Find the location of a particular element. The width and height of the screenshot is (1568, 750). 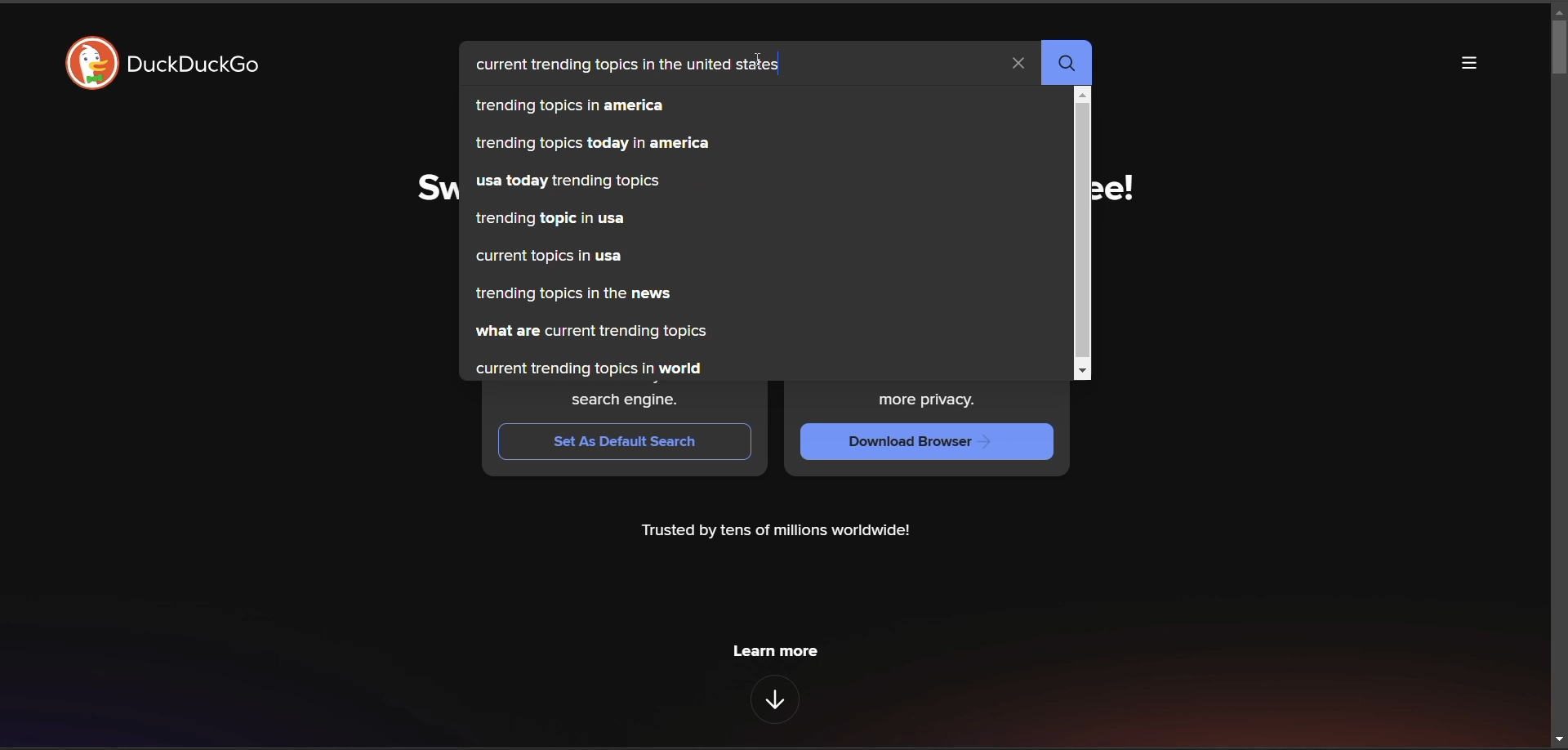

trending topics in the news is located at coordinates (581, 293).